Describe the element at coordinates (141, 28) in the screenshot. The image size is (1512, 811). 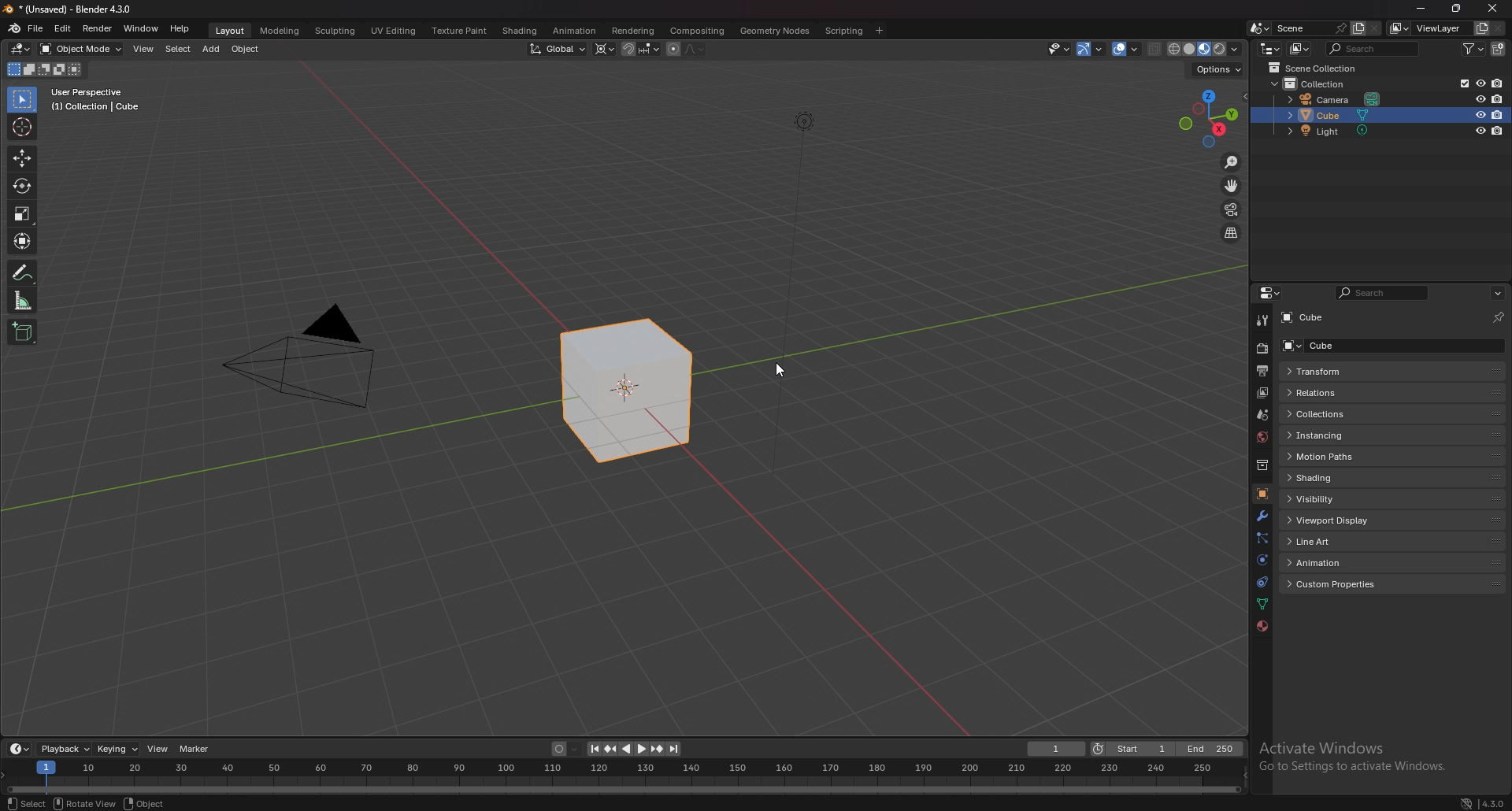
I see `window` at that location.